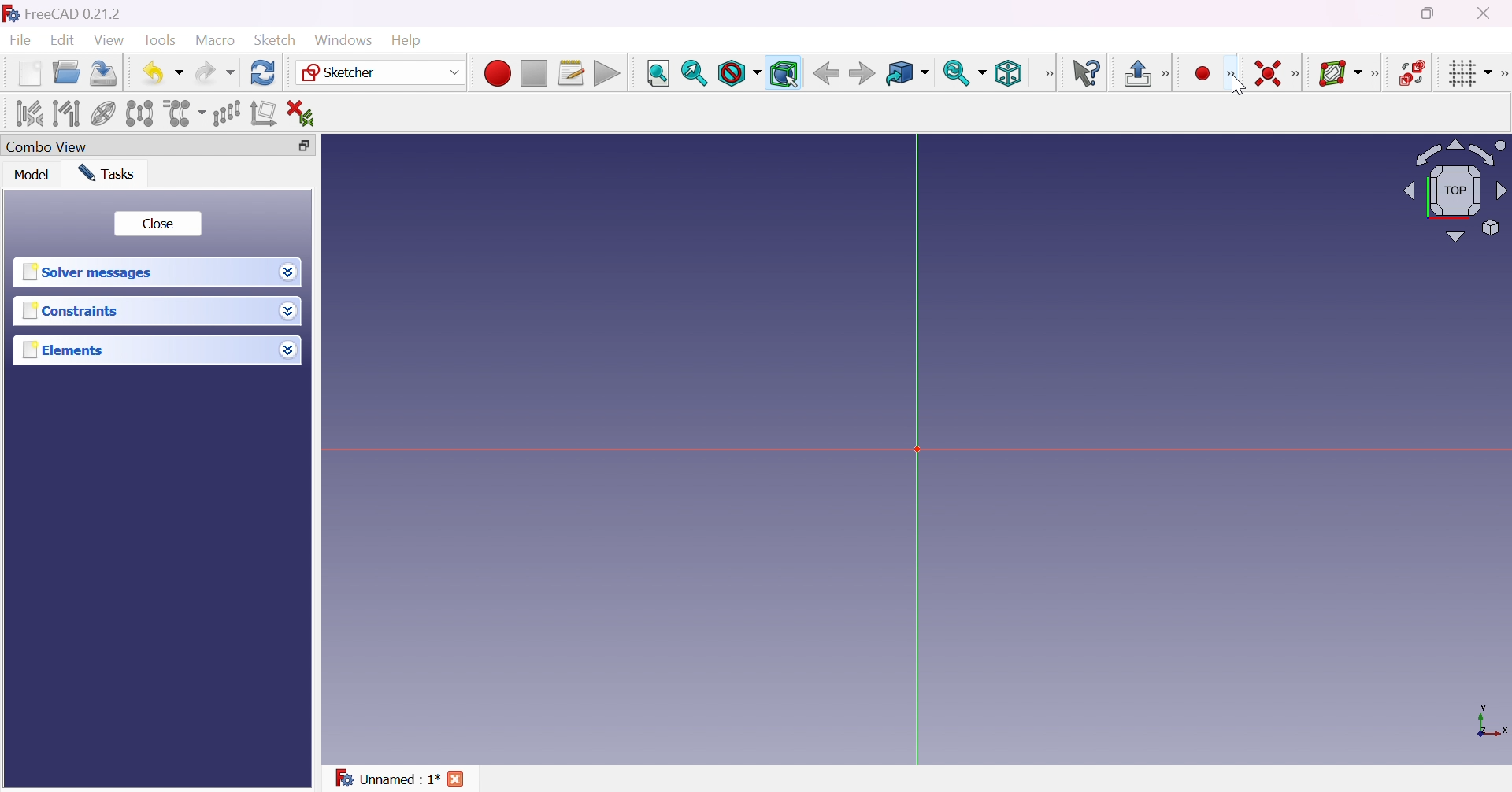 This screenshot has height=792, width=1512. I want to click on Redo, so click(215, 72).